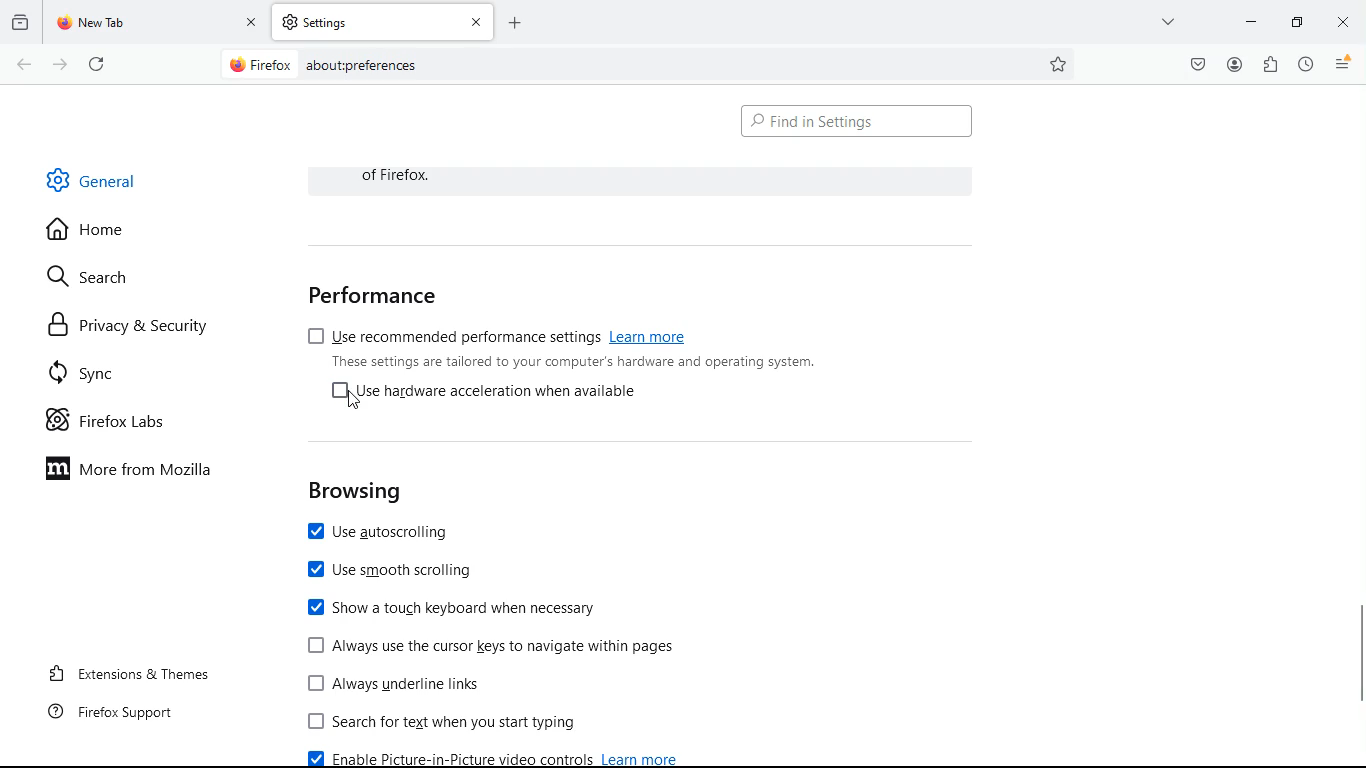 The height and width of the screenshot is (768, 1366). Describe the element at coordinates (393, 685) in the screenshot. I see `Always underline links` at that location.